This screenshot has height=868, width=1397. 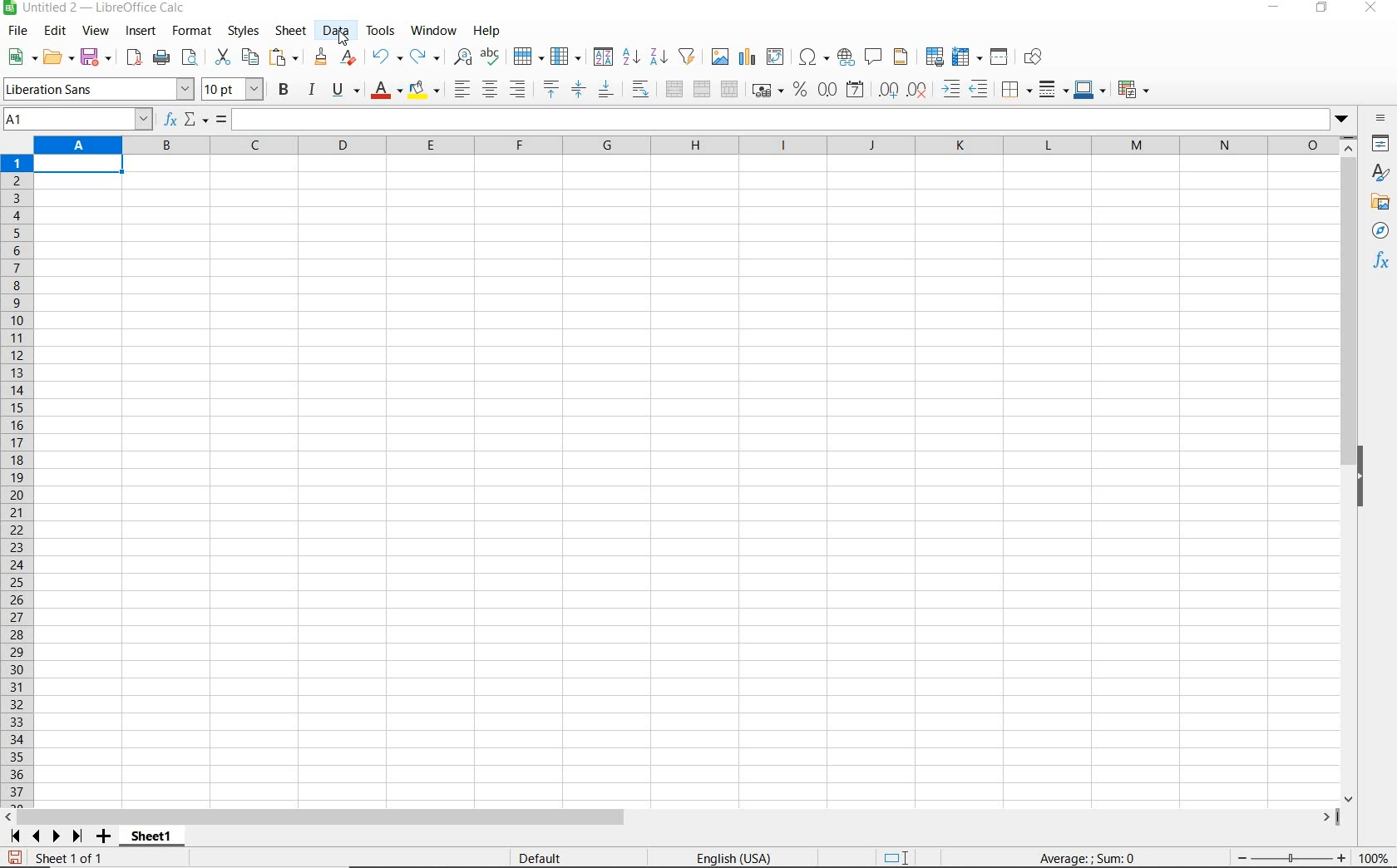 What do you see at coordinates (703, 87) in the screenshot?
I see `merge cells` at bounding box center [703, 87].